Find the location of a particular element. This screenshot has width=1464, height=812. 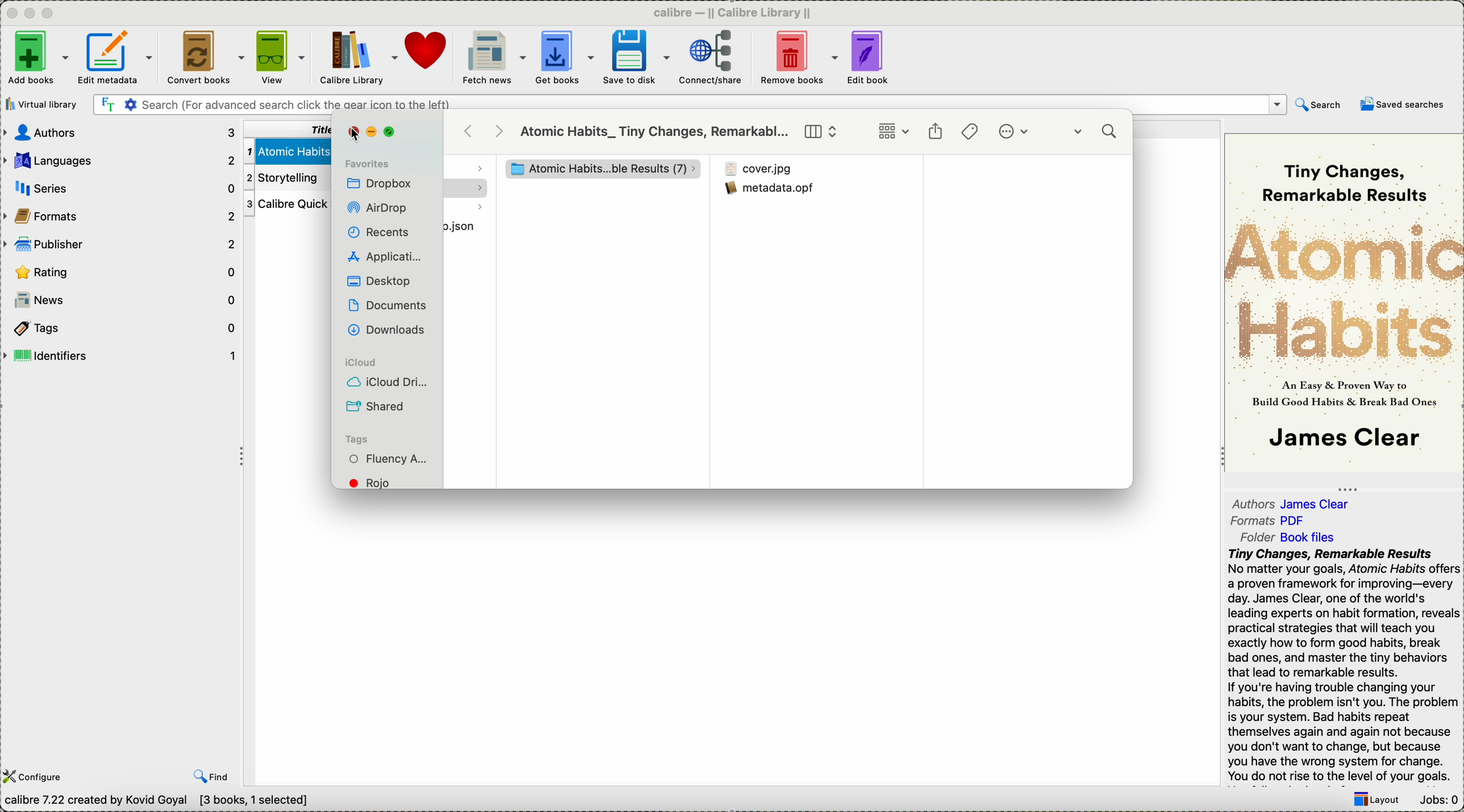

Jobs: 0 is located at coordinates (1437, 801).